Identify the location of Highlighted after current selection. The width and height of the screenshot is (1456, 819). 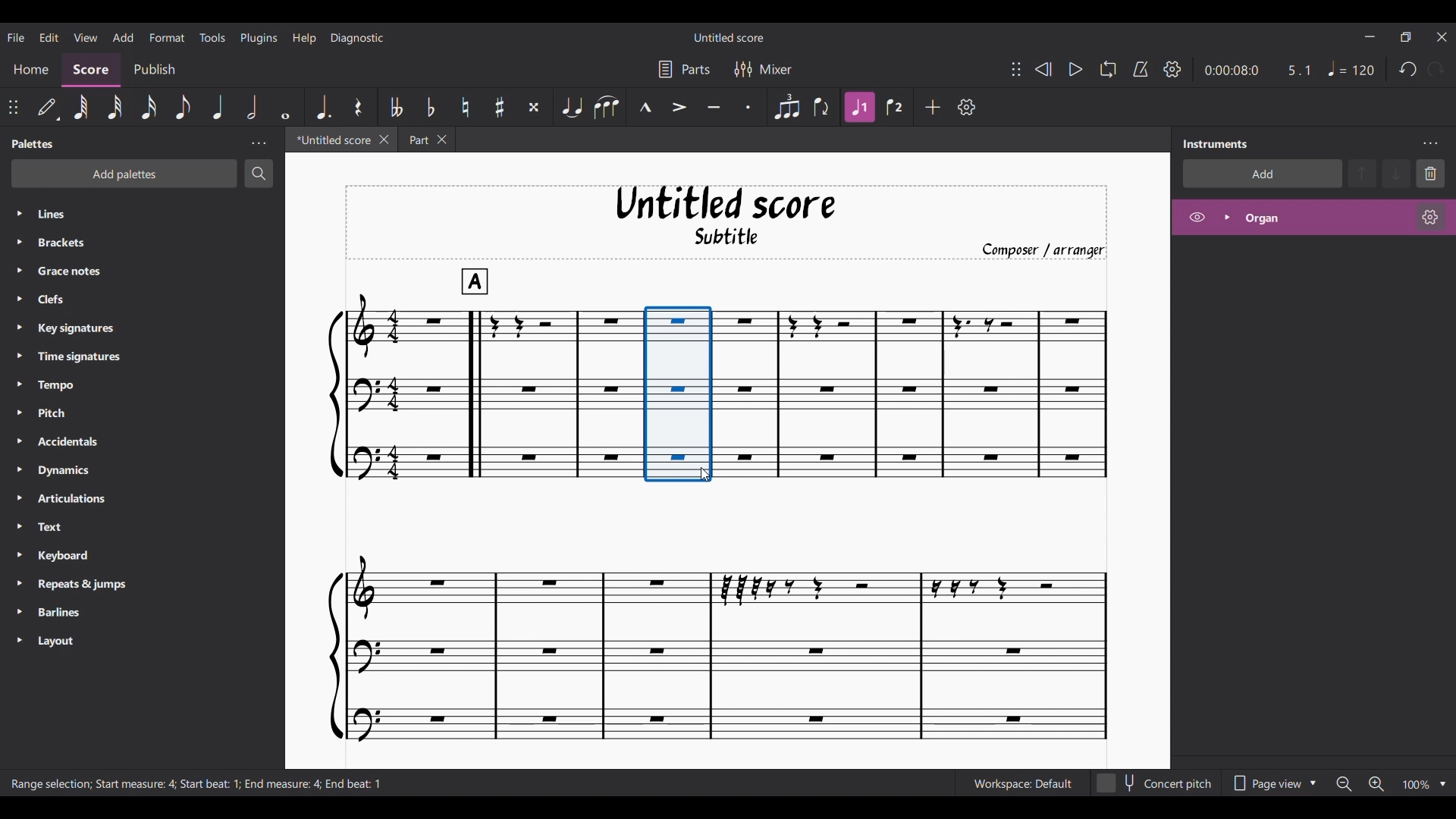
(1313, 220).